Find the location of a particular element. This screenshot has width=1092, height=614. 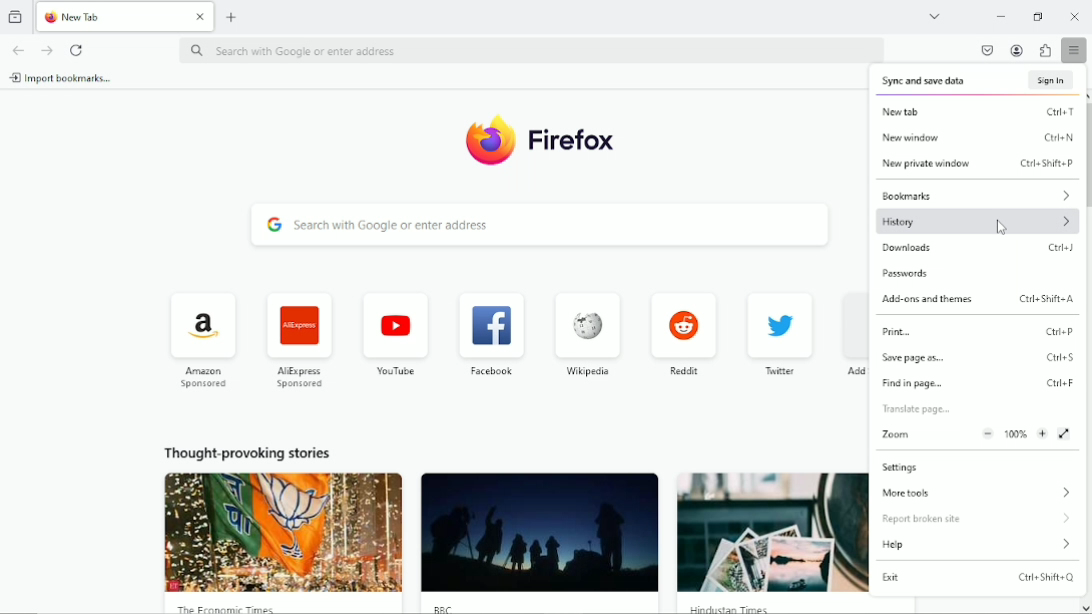

save to pocket is located at coordinates (986, 51).